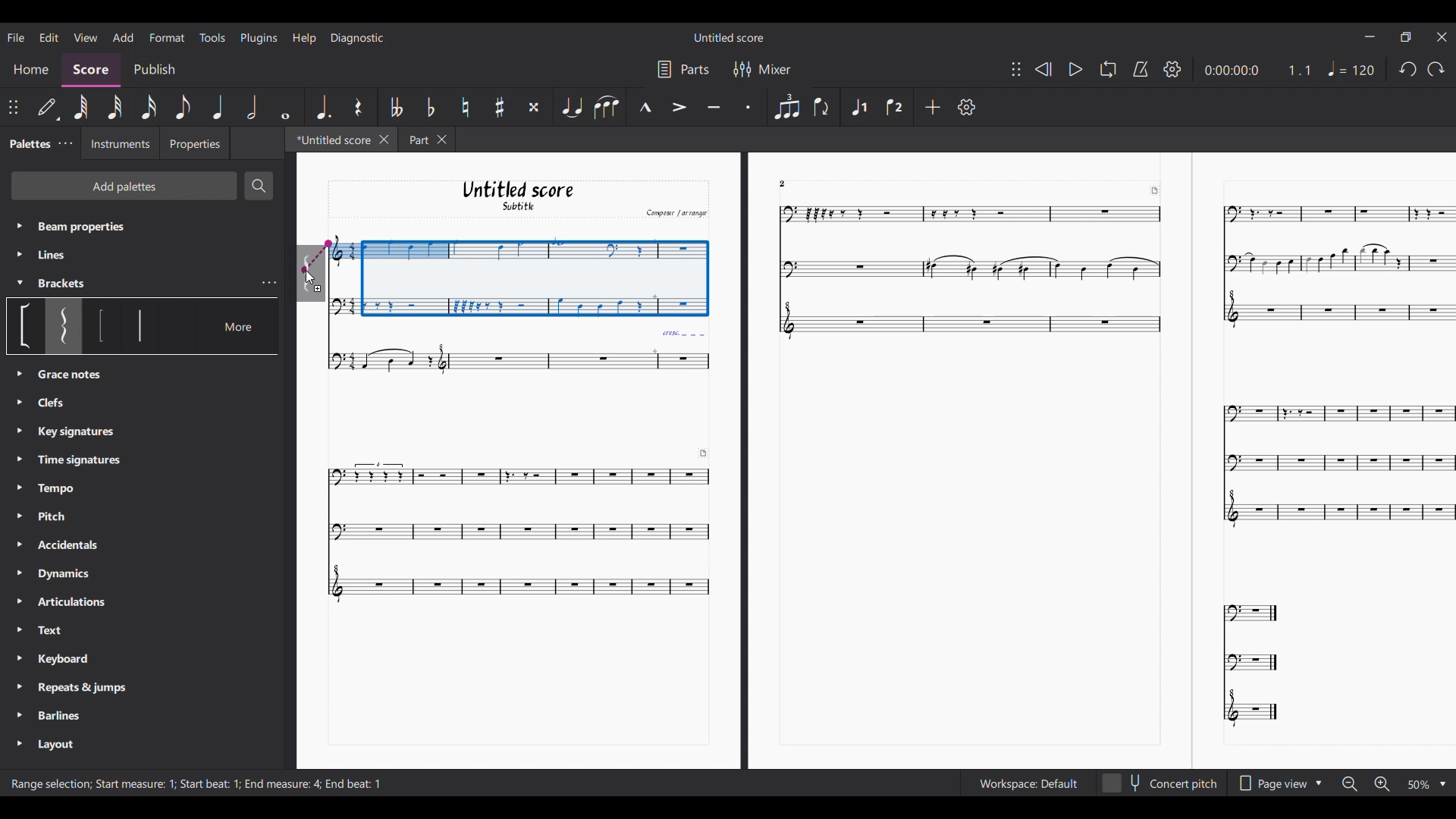 The height and width of the screenshot is (819, 1456). Describe the element at coordinates (523, 362) in the screenshot. I see `` at that location.